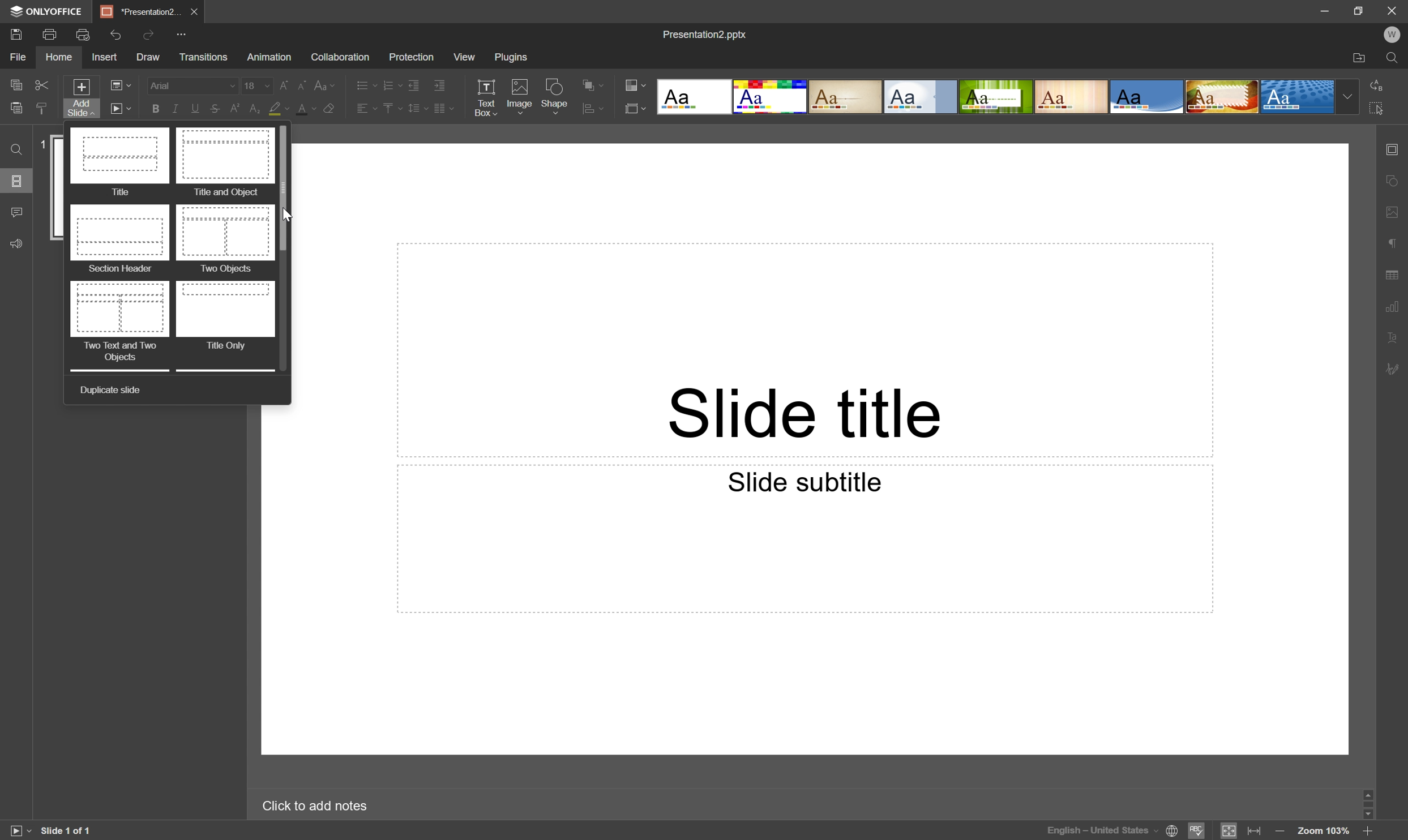  Describe the element at coordinates (363, 83) in the screenshot. I see `Bullets` at that location.